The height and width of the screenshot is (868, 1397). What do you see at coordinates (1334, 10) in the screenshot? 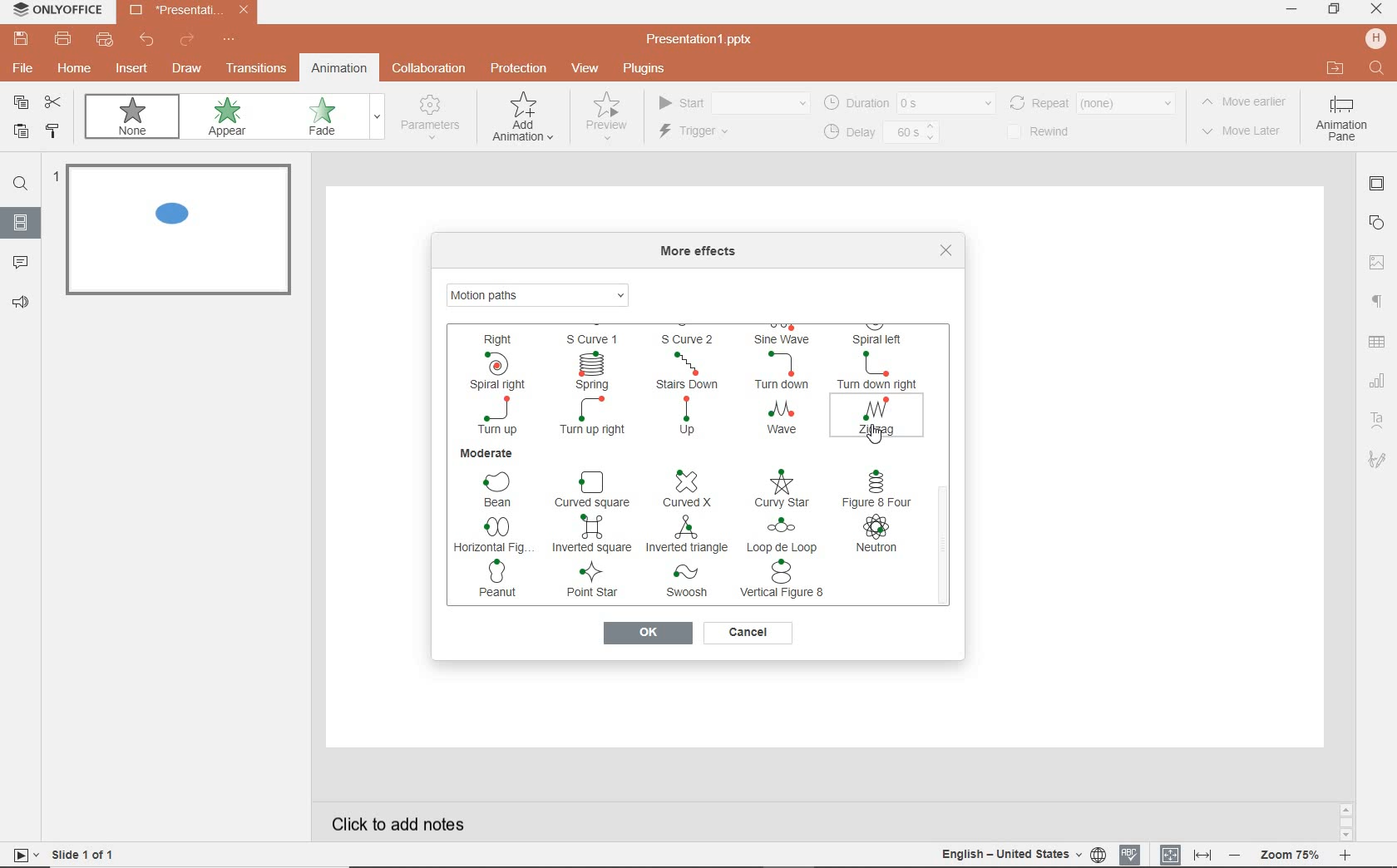
I see `RESTORE` at bounding box center [1334, 10].